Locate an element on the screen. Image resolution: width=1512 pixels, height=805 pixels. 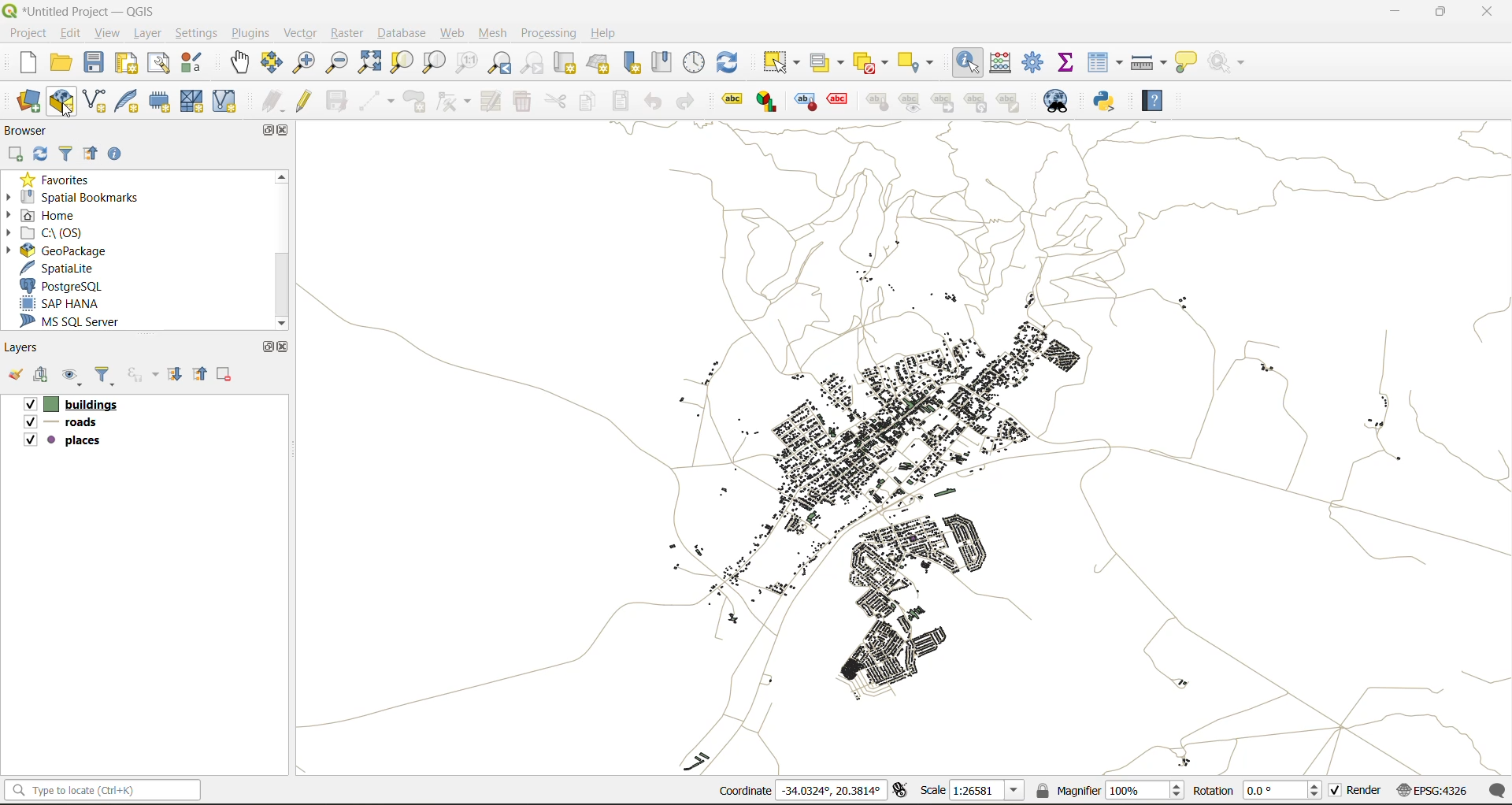
home is located at coordinates (47, 215).